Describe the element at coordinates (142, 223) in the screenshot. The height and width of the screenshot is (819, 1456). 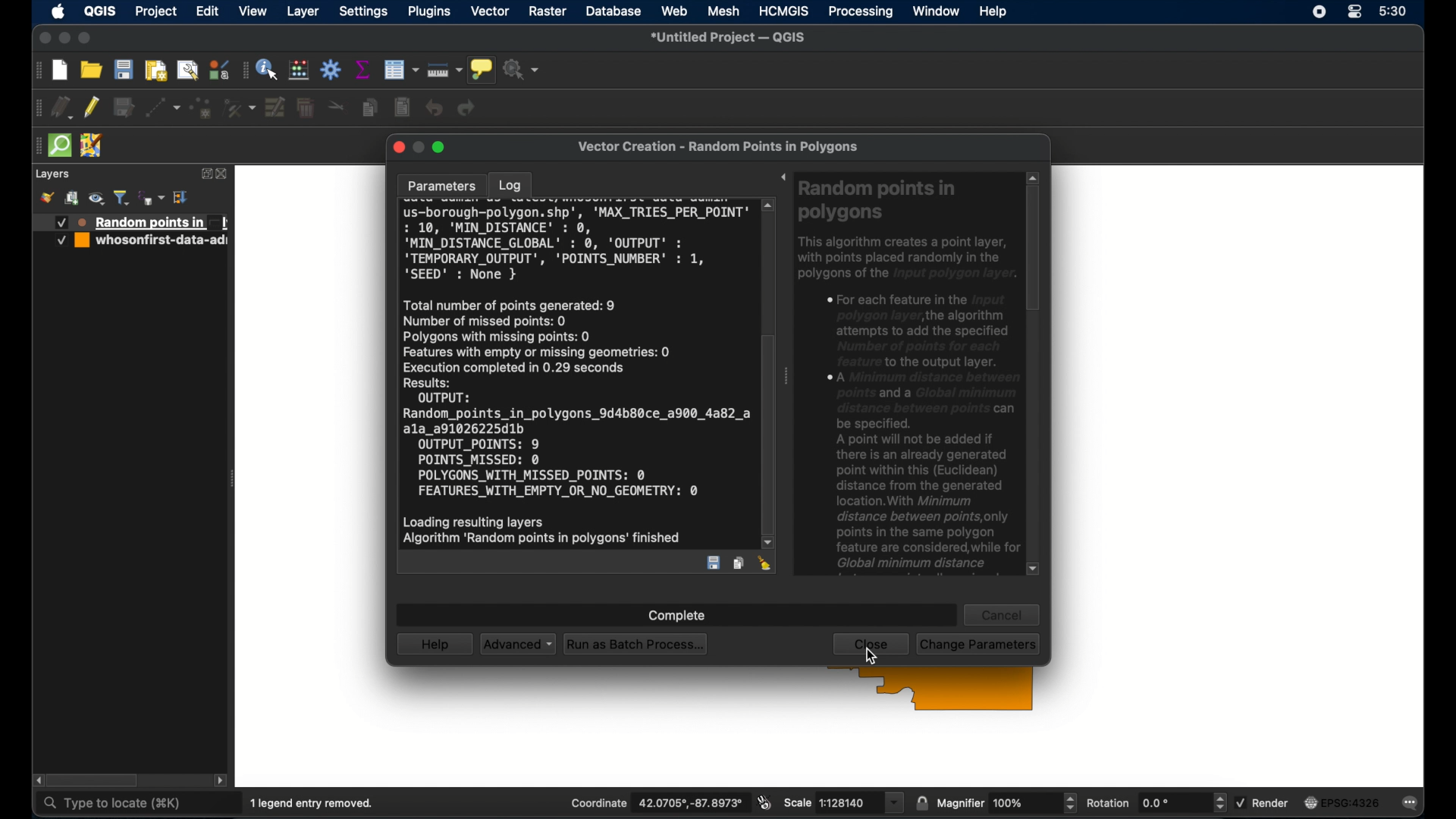
I see `Random points in` at that location.